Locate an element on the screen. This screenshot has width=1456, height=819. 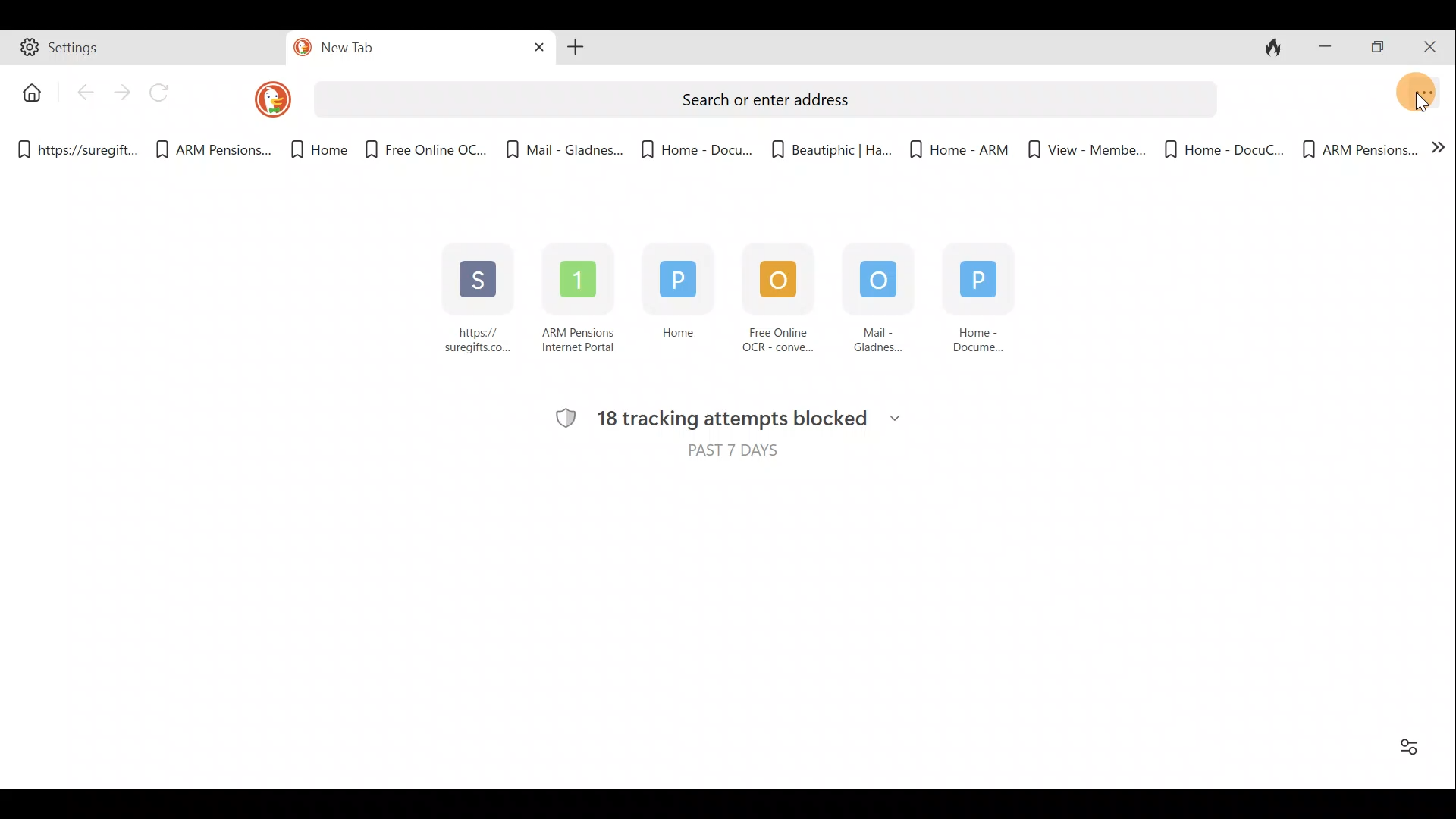
Forward is located at coordinates (122, 92).